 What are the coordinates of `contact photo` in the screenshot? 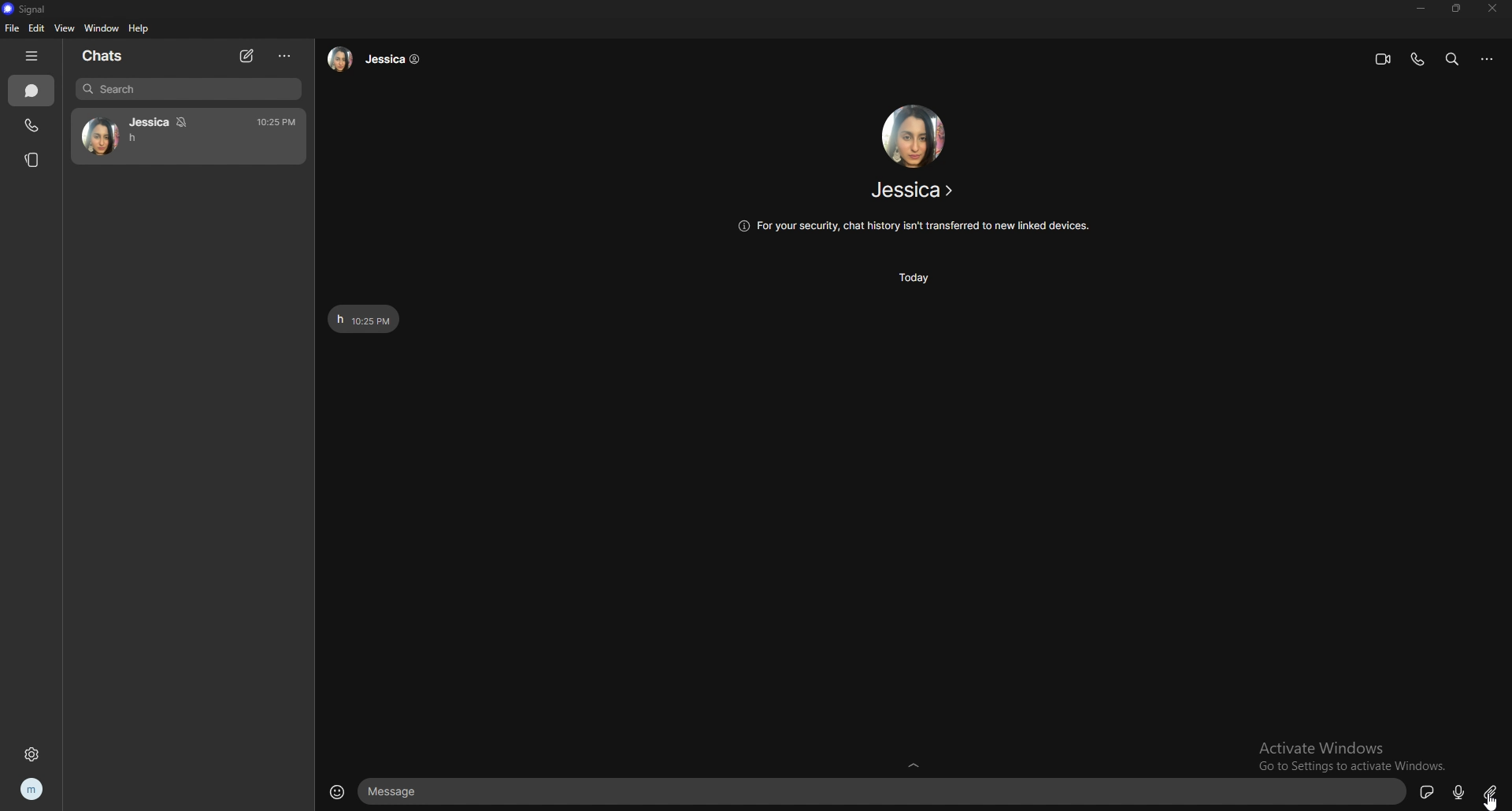 It's located at (912, 135).